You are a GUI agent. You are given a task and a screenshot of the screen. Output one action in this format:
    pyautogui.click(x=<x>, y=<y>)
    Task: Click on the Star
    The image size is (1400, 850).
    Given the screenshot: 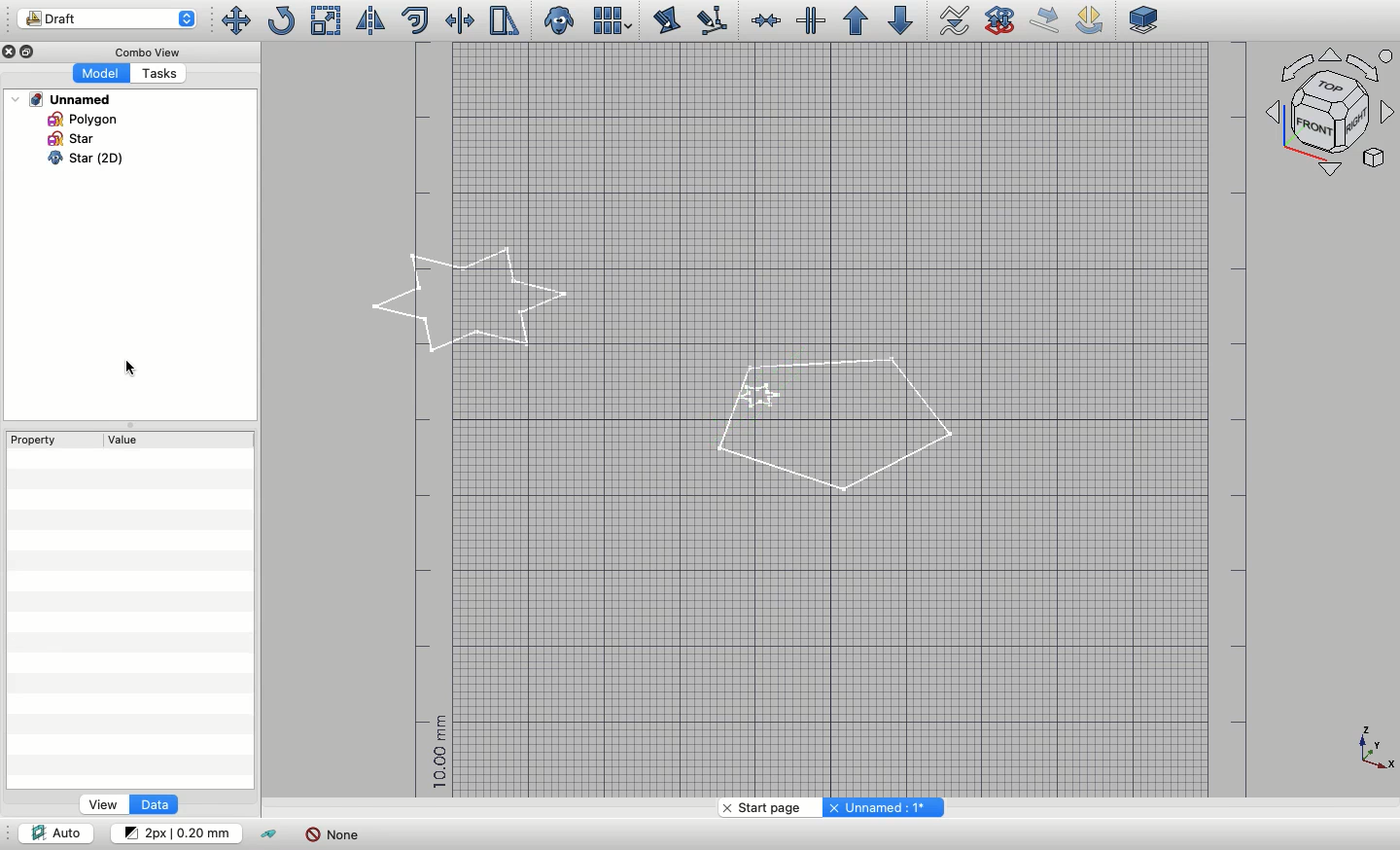 What is the action you would take?
    pyautogui.click(x=73, y=138)
    